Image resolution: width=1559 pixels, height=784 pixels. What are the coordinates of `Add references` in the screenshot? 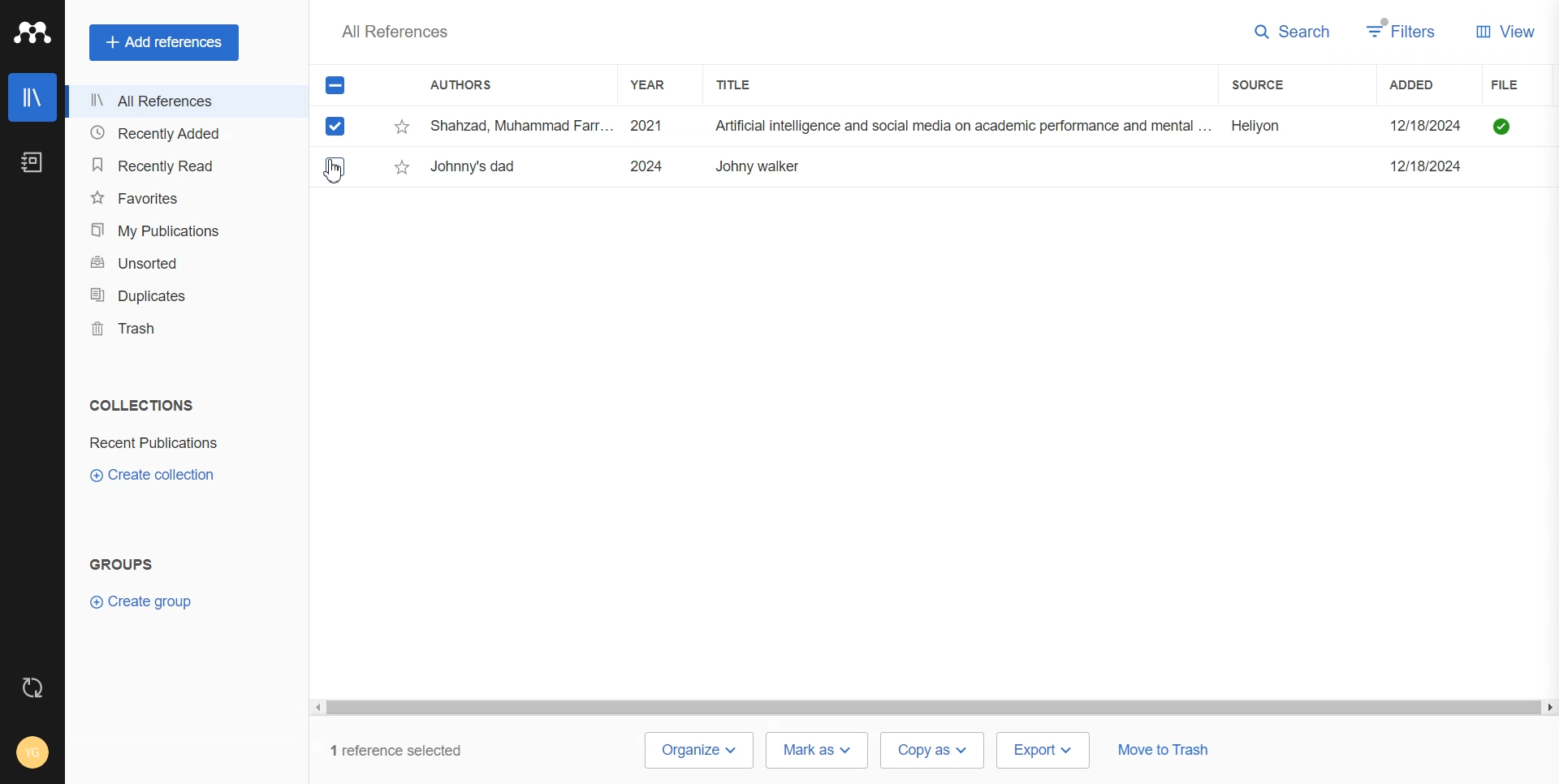 It's located at (164, 42).